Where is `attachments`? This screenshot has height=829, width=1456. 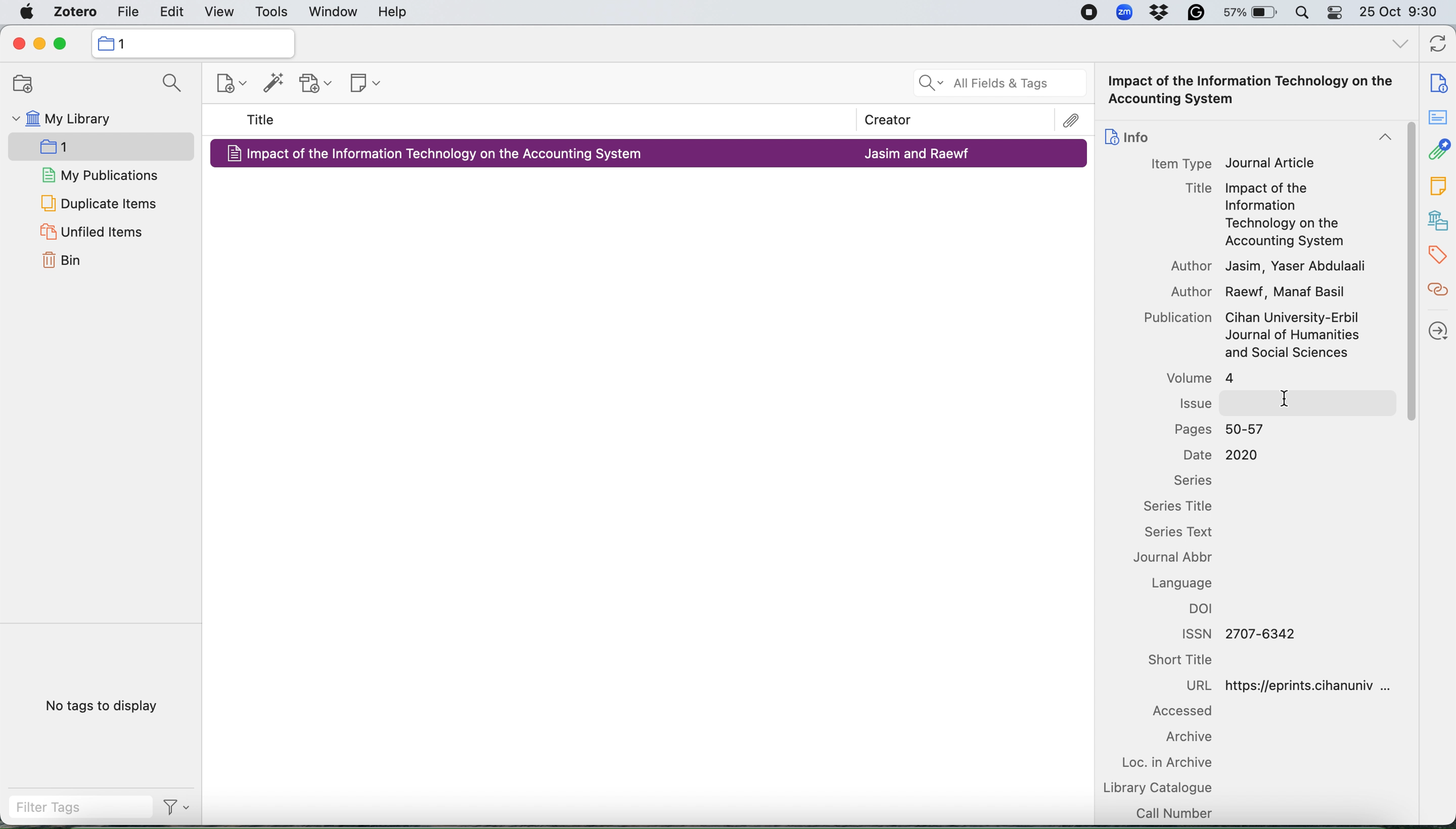
attachments is located at coordinates (1438, 152).